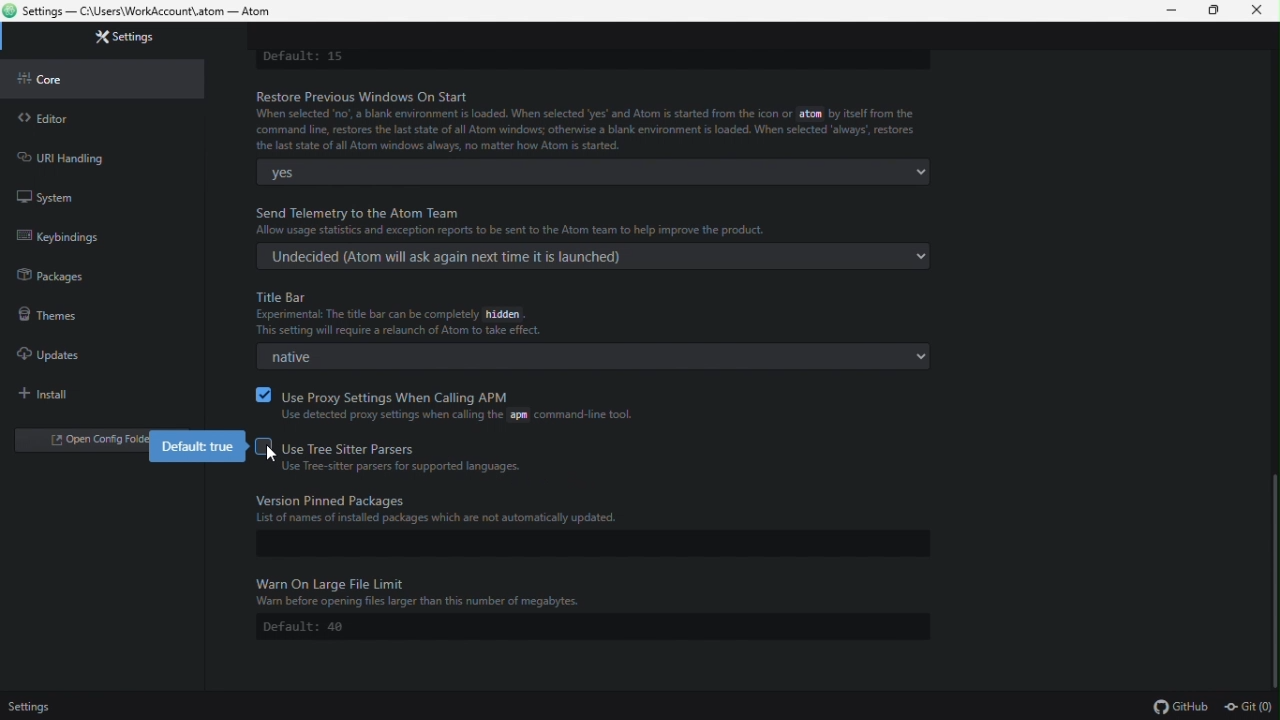  Describe the element at coordinates (425, 315) in the screenshot. I see `Title Bar` at that location.